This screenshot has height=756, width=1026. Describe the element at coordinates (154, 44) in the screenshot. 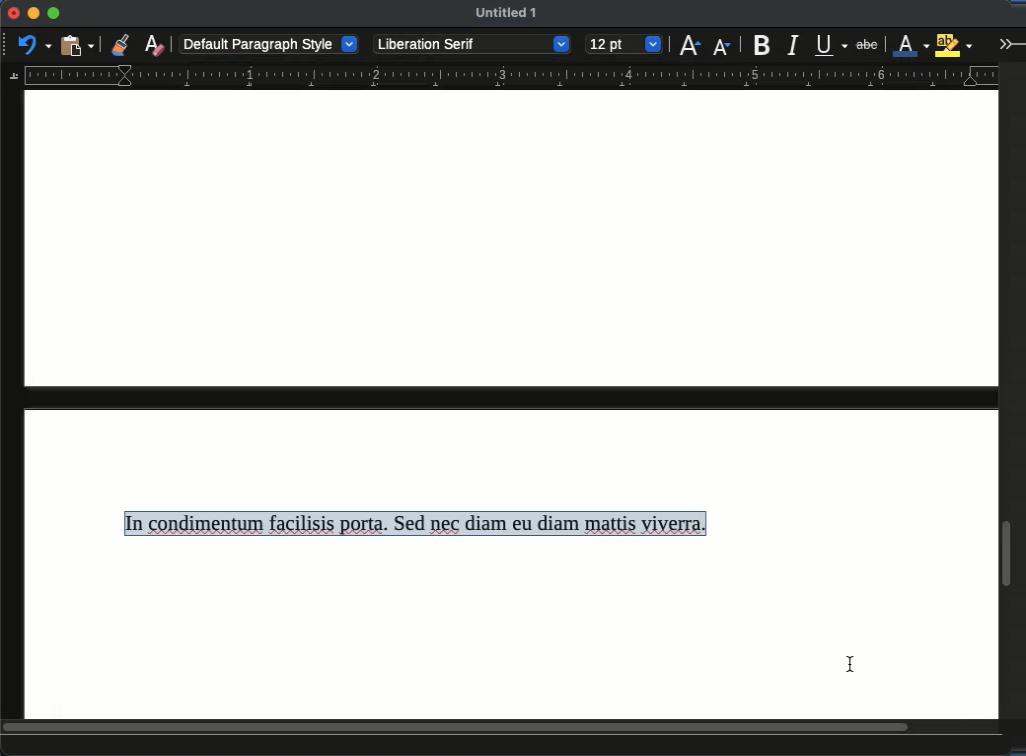

I see `clear formatting` at that location.